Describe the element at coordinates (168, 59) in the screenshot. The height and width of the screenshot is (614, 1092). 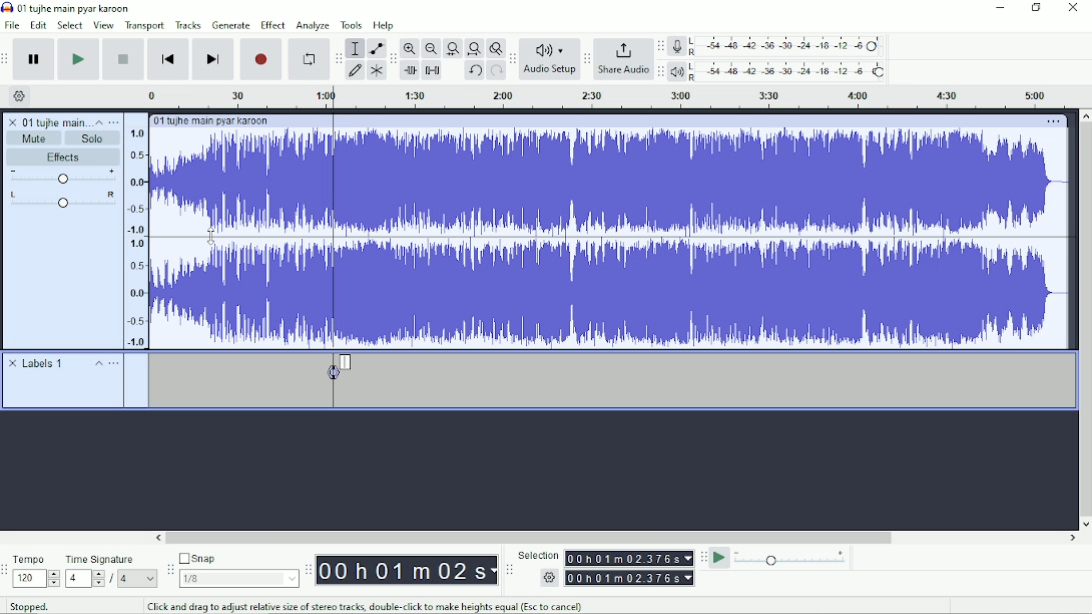
I see `Skip to start` at that location.